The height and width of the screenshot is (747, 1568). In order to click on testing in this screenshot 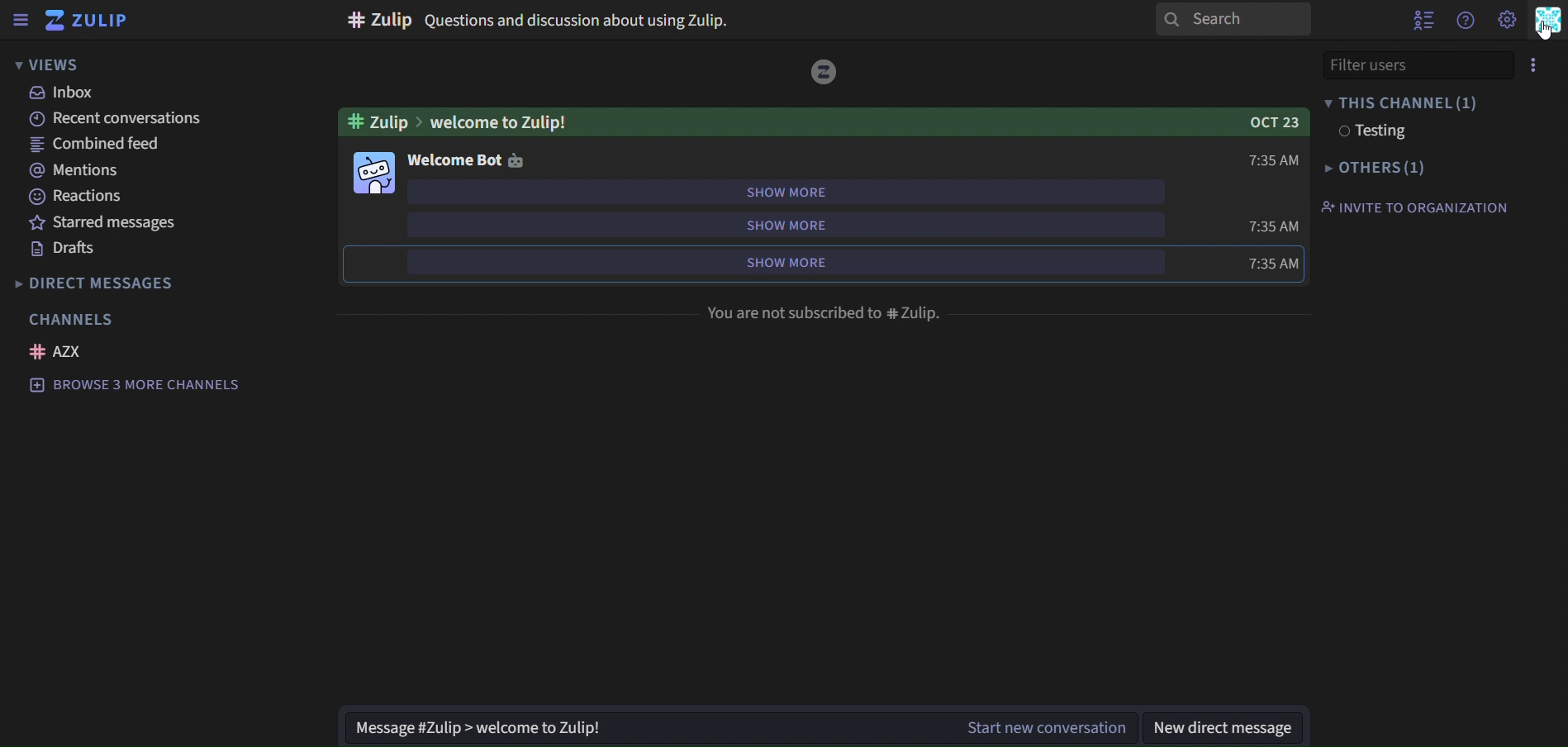, I will do `click(1375, 132)`.